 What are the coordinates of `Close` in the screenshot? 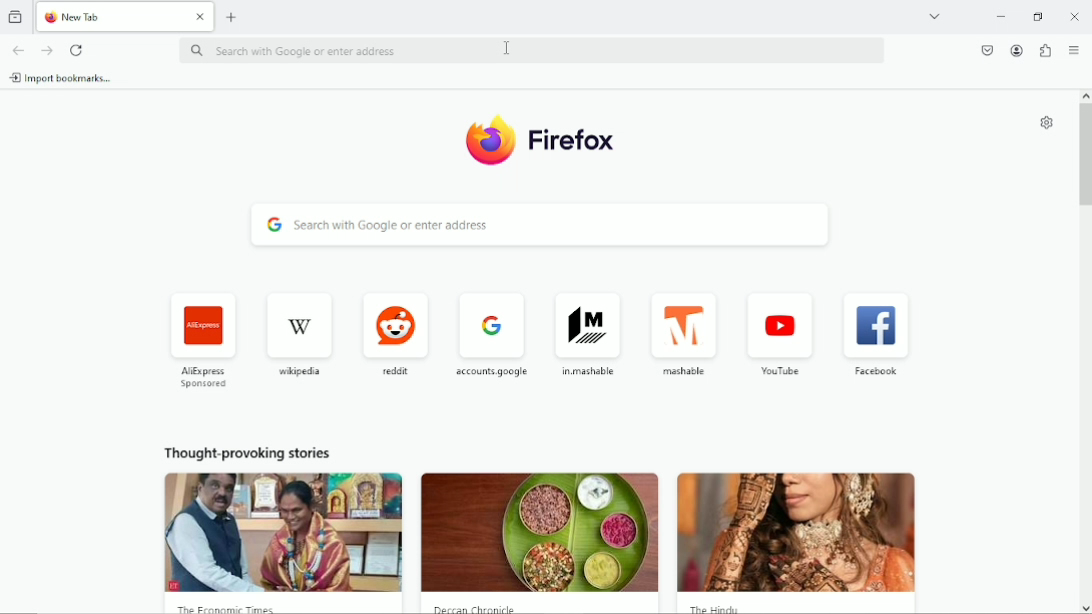 It's located at (1074, 17).